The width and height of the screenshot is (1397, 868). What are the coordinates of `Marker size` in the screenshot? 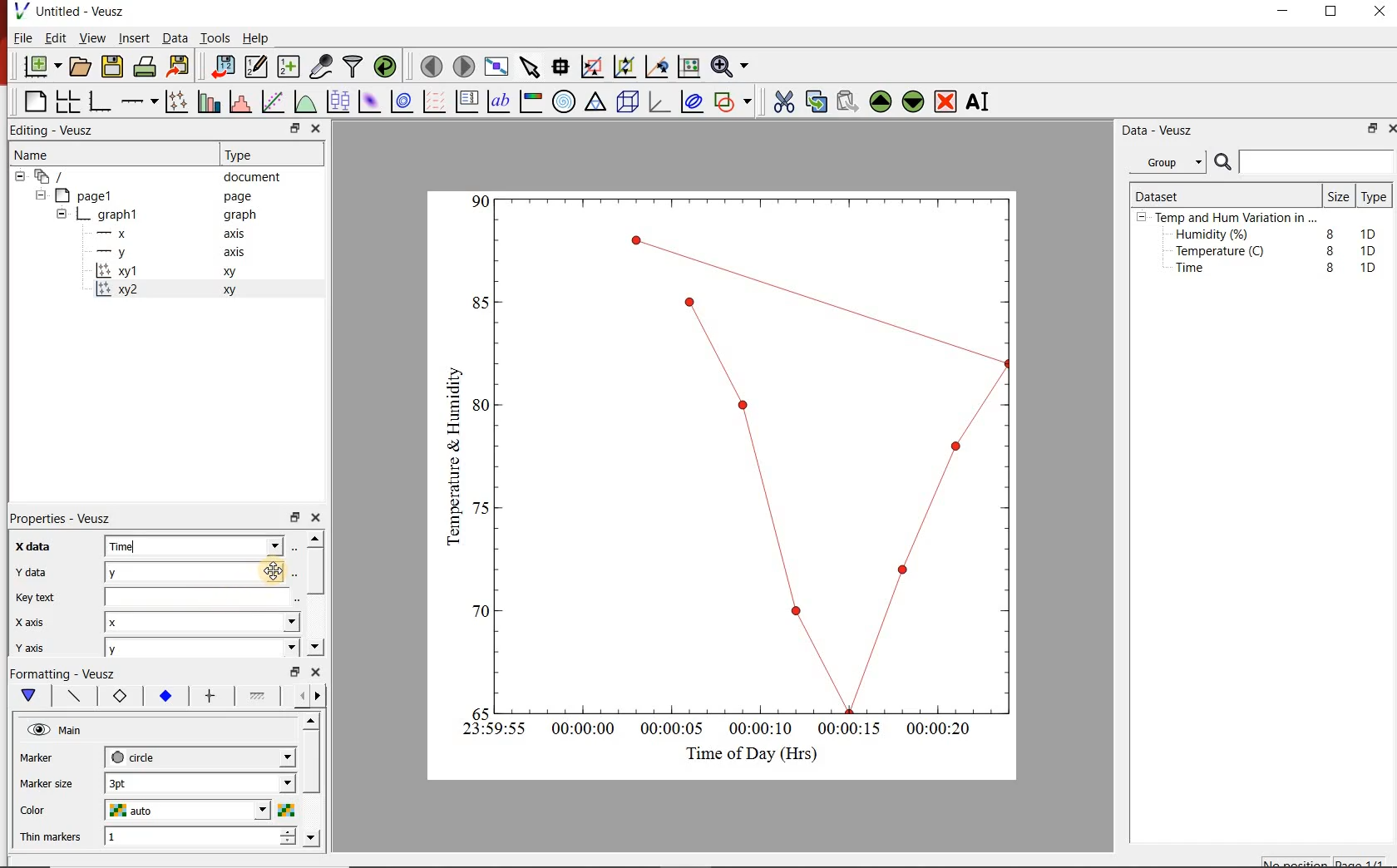 It's located at (54, 782).